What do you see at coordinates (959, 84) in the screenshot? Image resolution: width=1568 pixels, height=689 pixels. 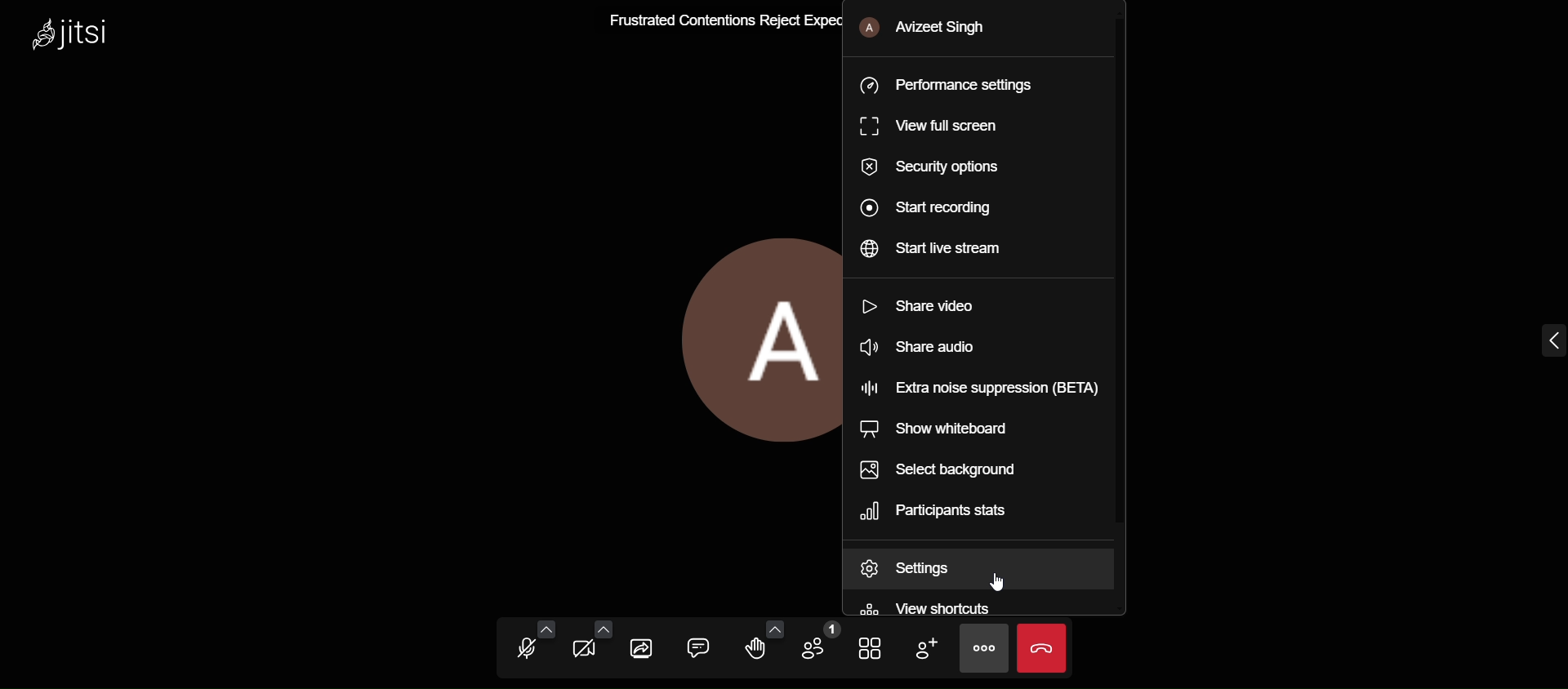 I see `performance setting` at bounding box center [959, 84].